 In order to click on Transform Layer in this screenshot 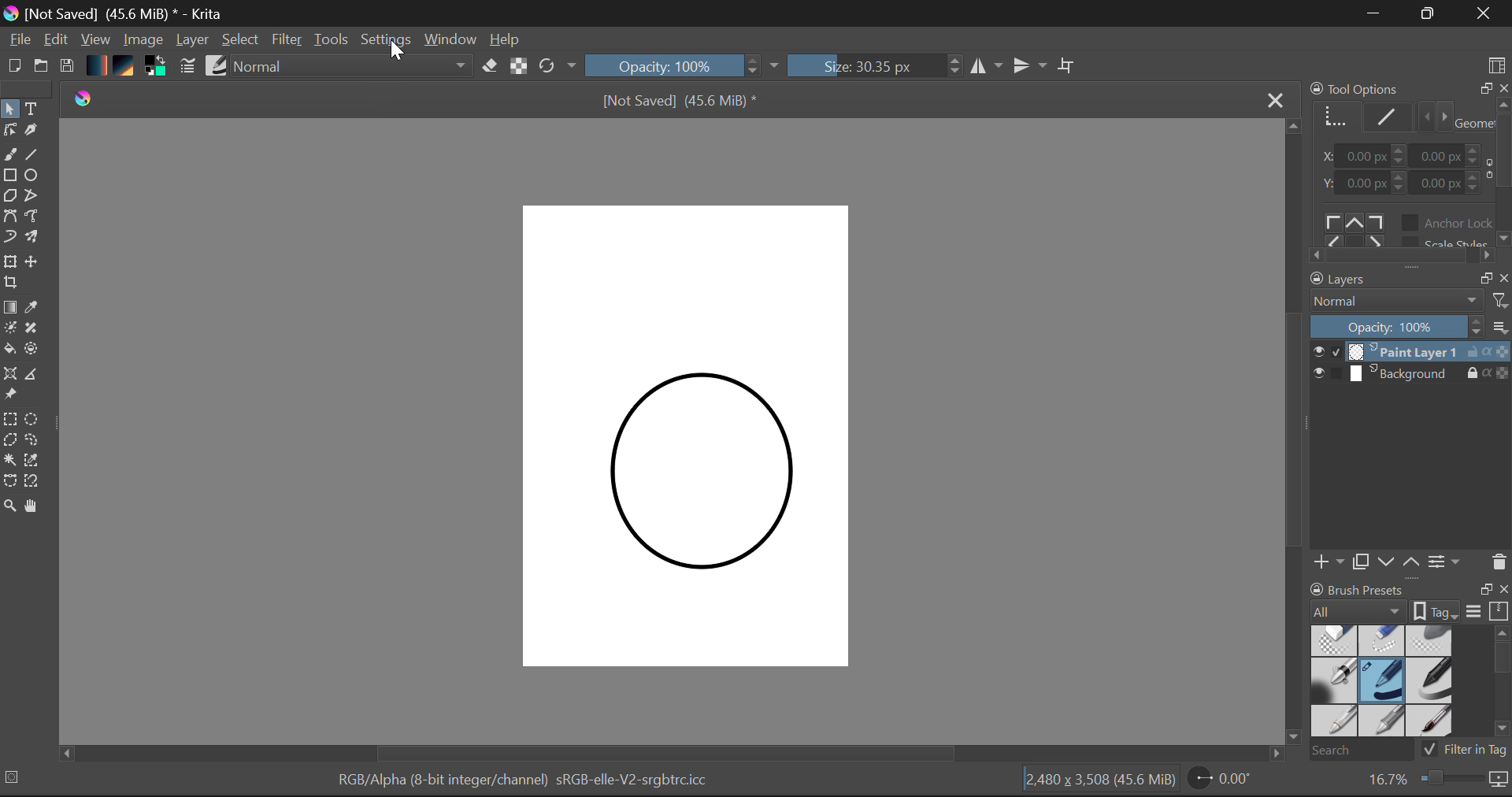, I will do `click(9, 262)`.